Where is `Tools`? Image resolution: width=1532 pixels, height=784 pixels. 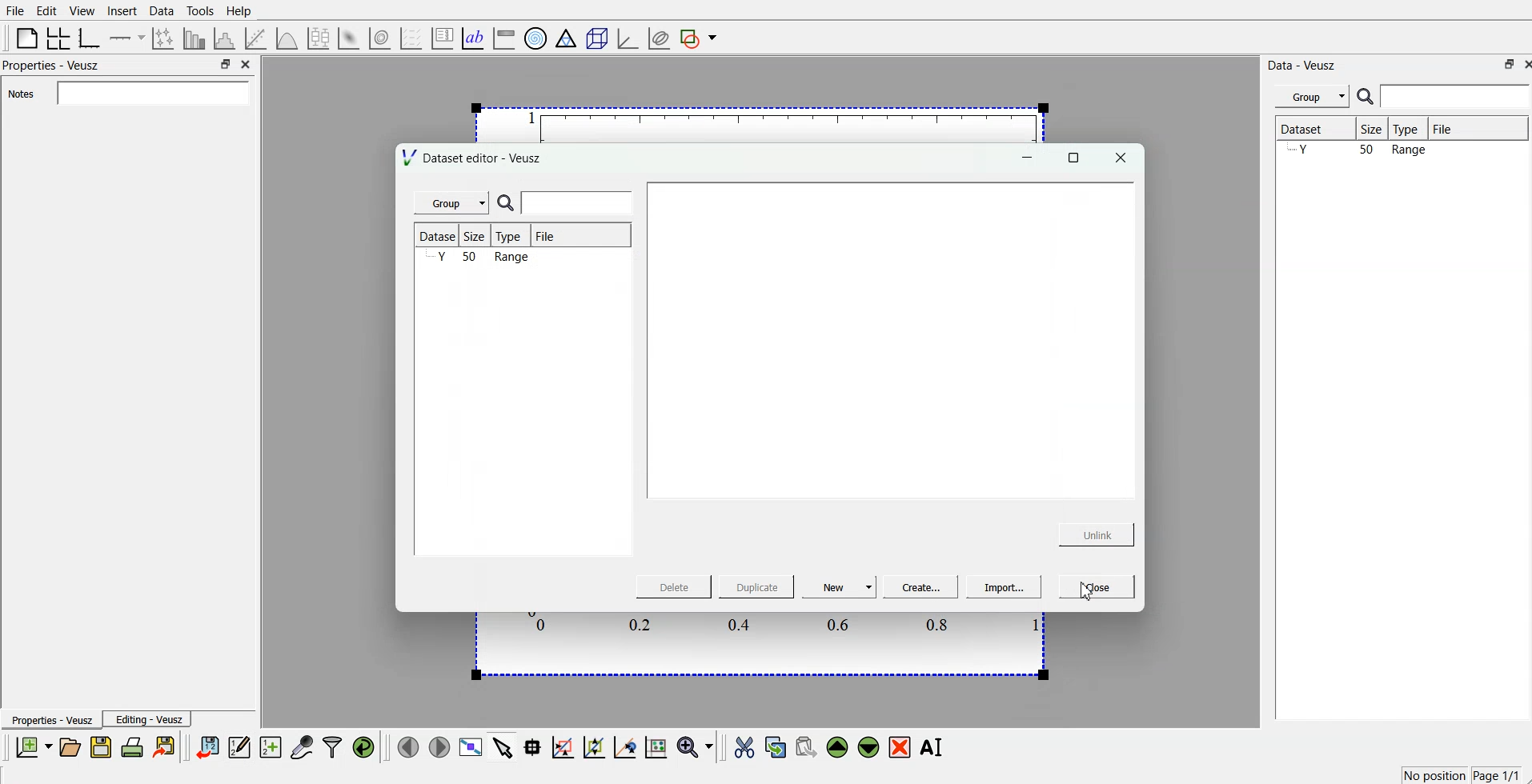 Tools is located at coordinates (200, 11).